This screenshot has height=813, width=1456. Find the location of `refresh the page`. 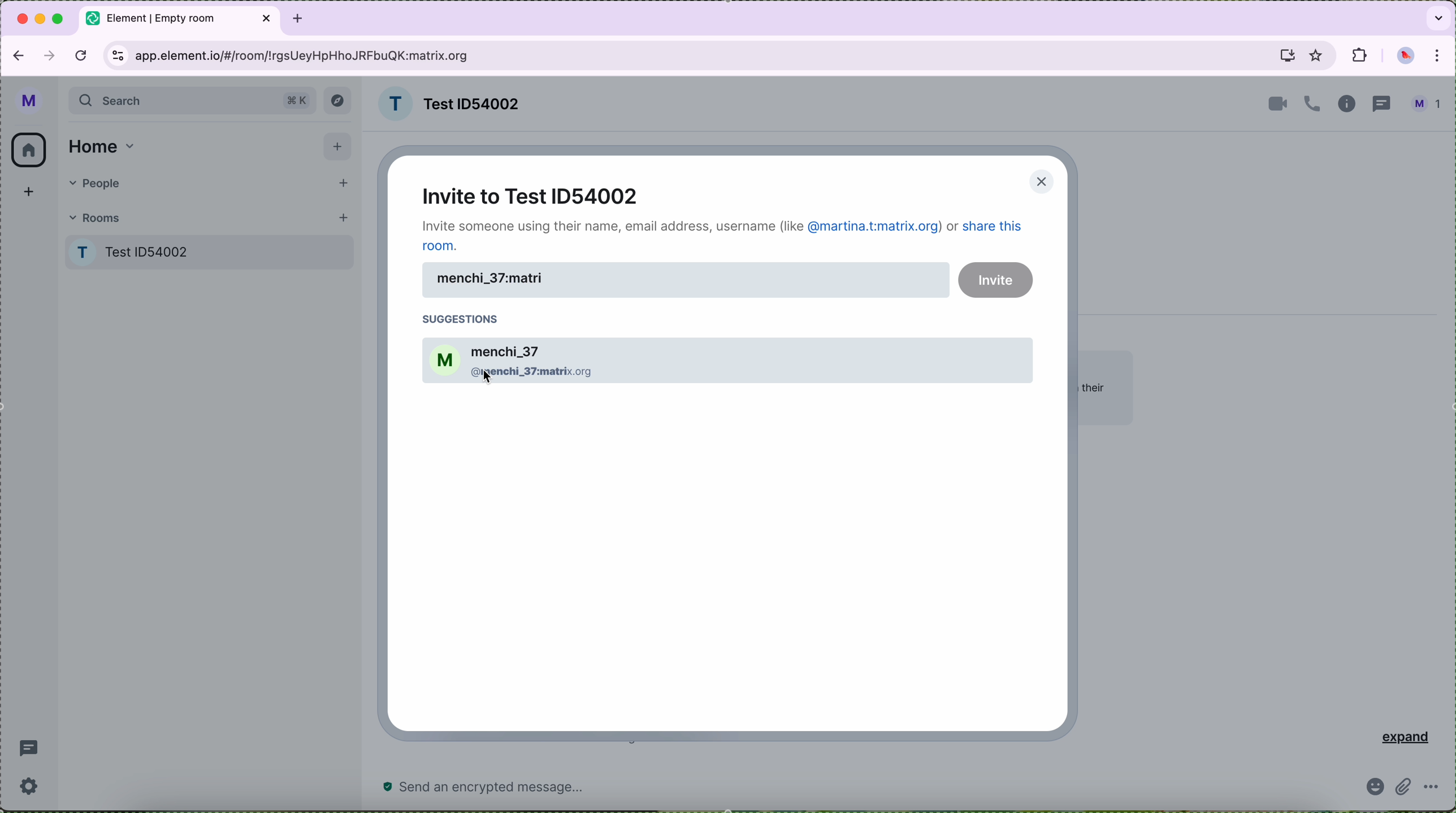

refresh the page is located at coordinates (81, 55).